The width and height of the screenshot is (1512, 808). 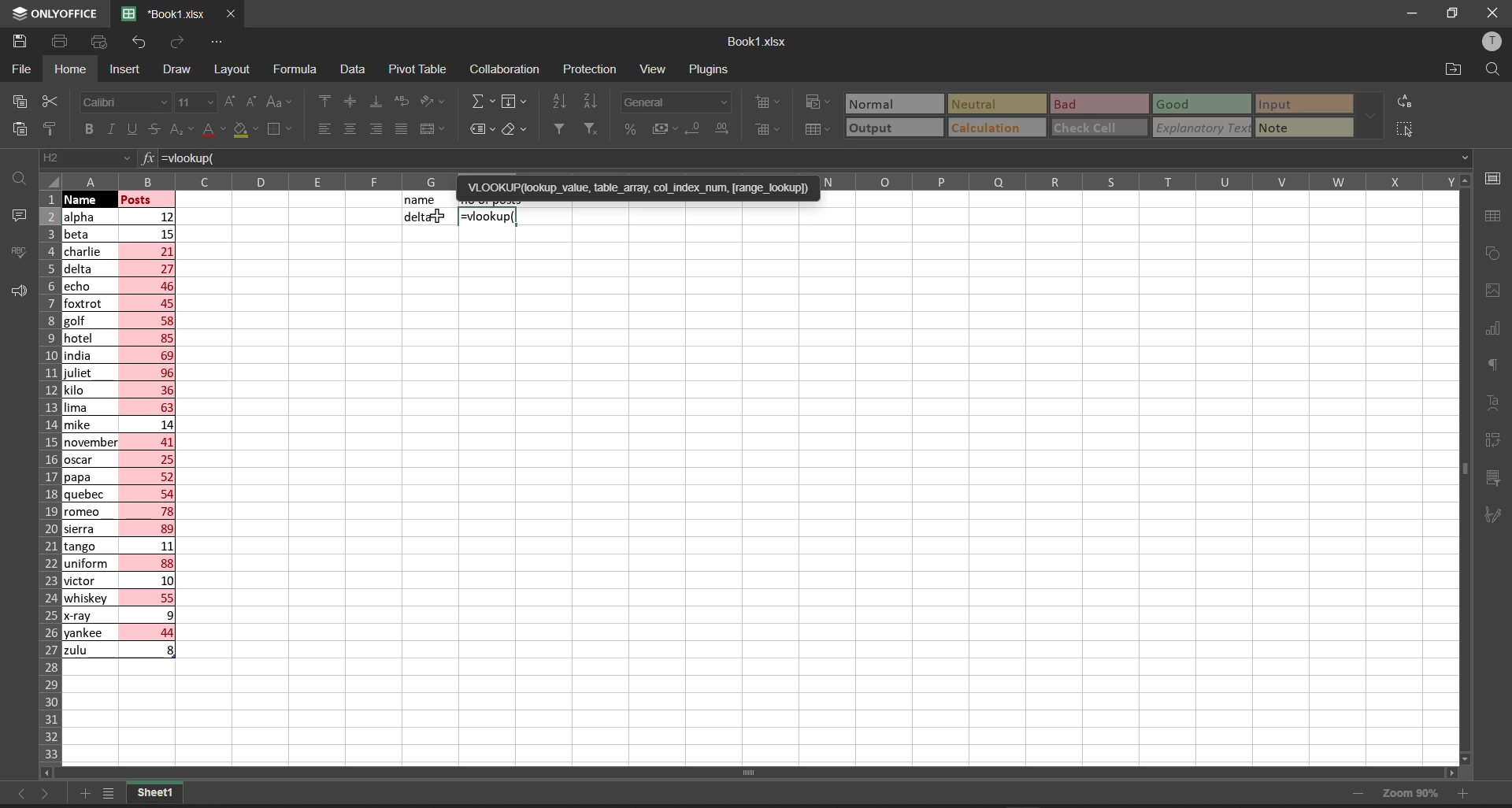 What do you see at coordinates (1490, 13) in the screenshot?
I see `close` at bounding box center [1490, 13].